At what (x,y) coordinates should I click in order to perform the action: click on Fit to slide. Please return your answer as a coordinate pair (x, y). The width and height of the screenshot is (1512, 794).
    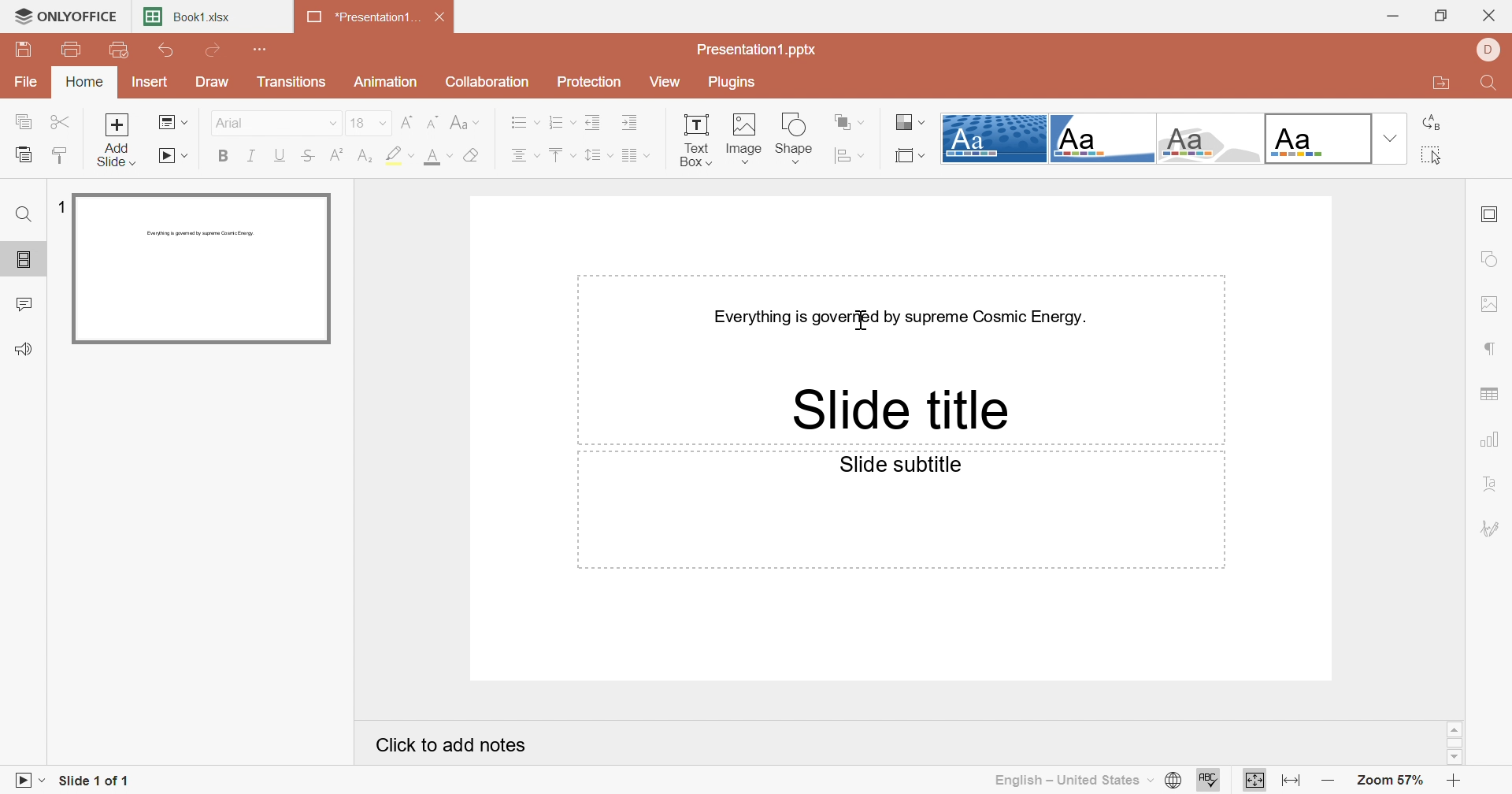
    Looking at the image, I should click on (1253, 780).